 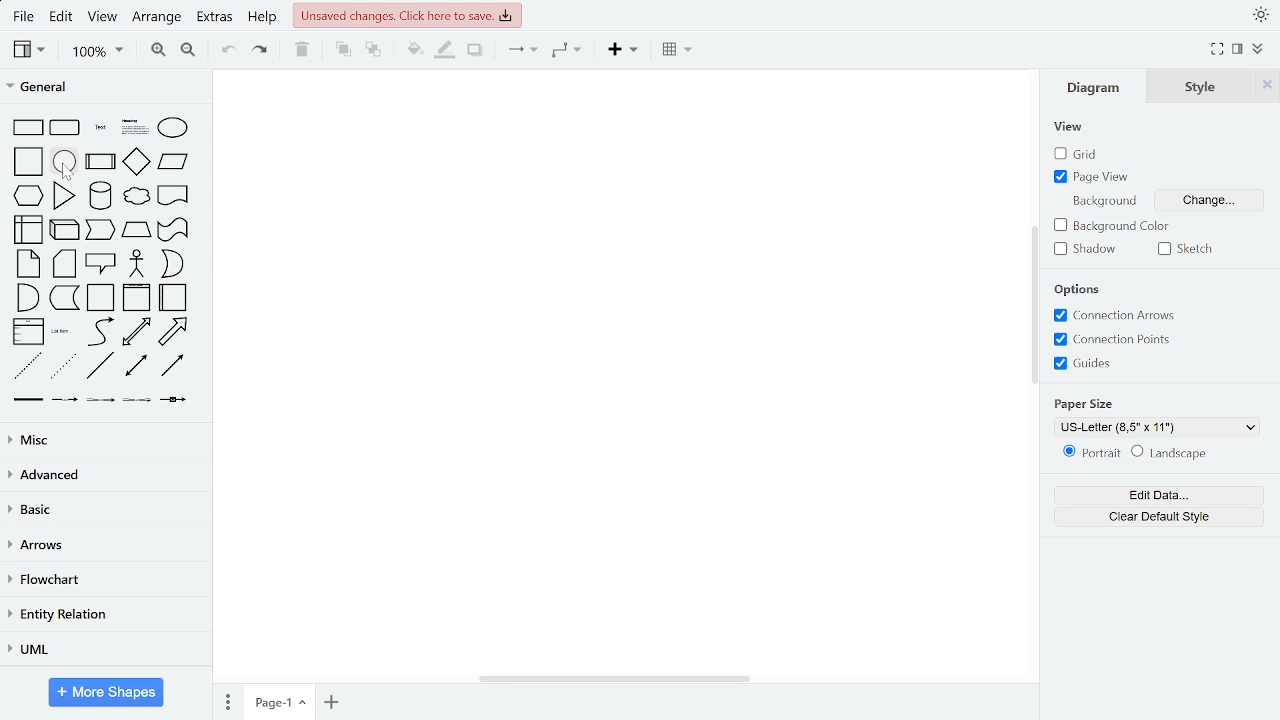 I want to click on step, so click(x=101, y=231).